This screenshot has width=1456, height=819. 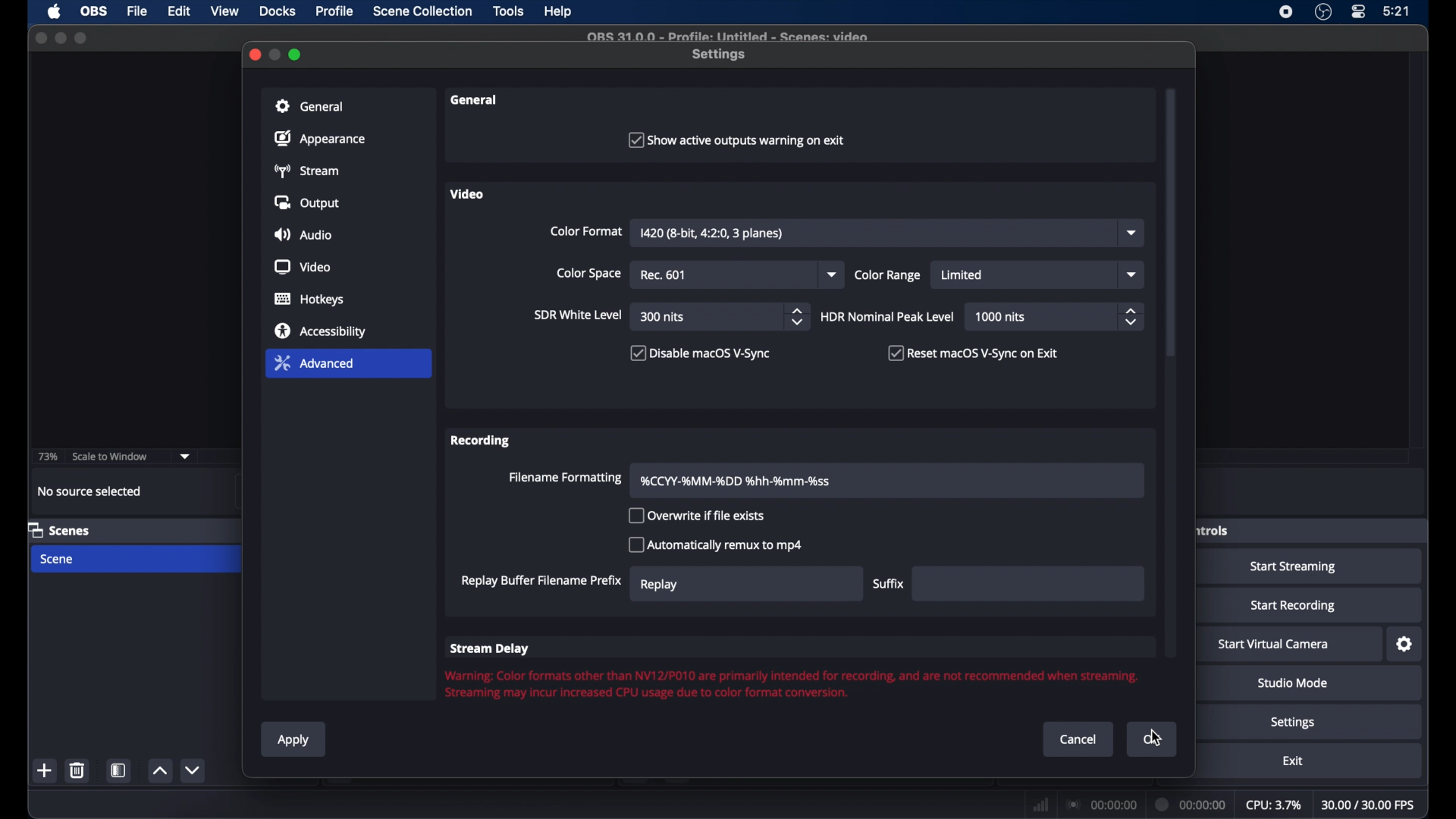 What do you see at coordinates (890, 584) in the screenshot?
I see `suffix` at bounding box center [890, 584].